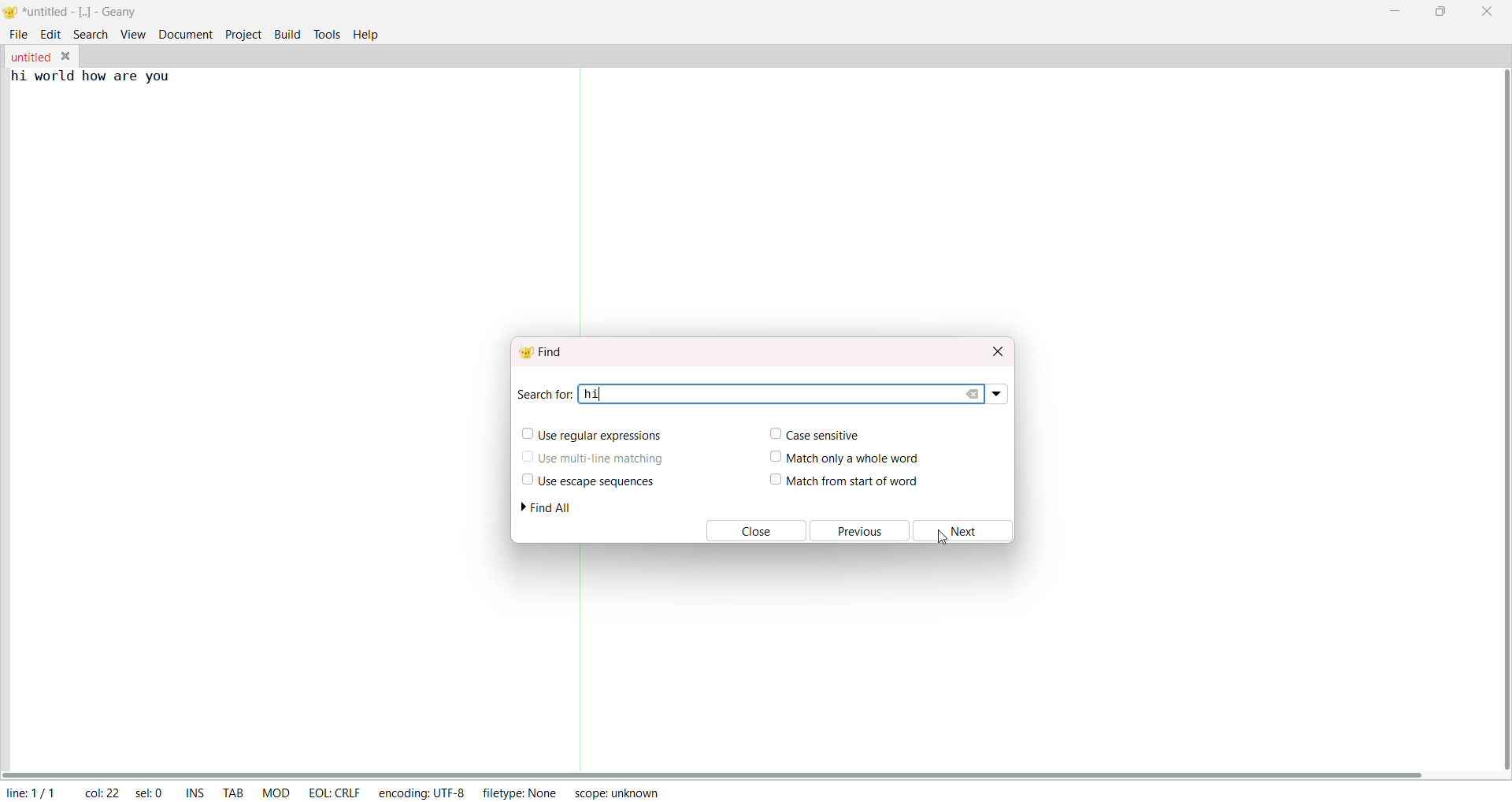  I want to click on case sensitive, so click(821, 434).